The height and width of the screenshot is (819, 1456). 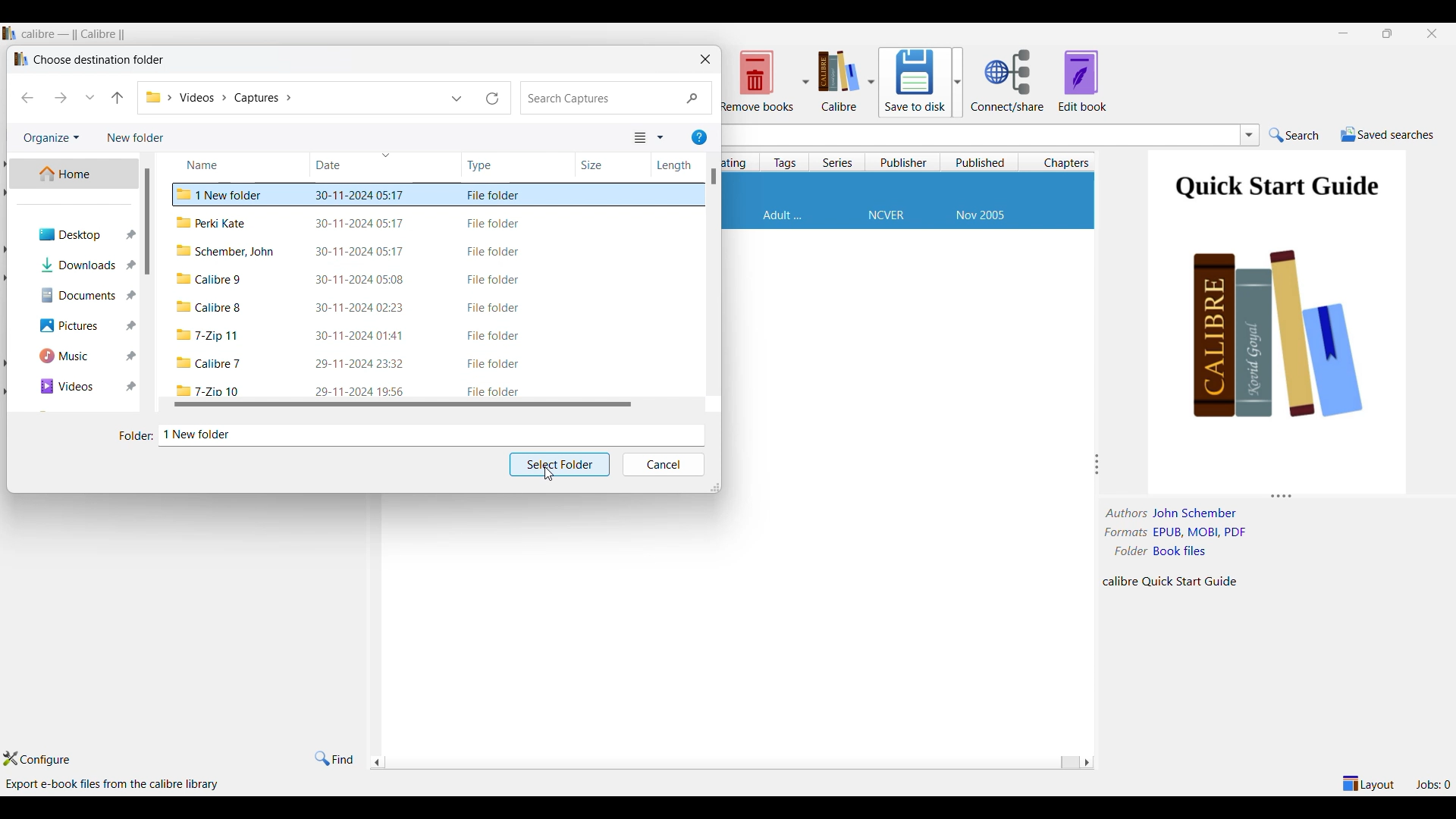 I want to click on Recent locations, so click(x=90, y=97).